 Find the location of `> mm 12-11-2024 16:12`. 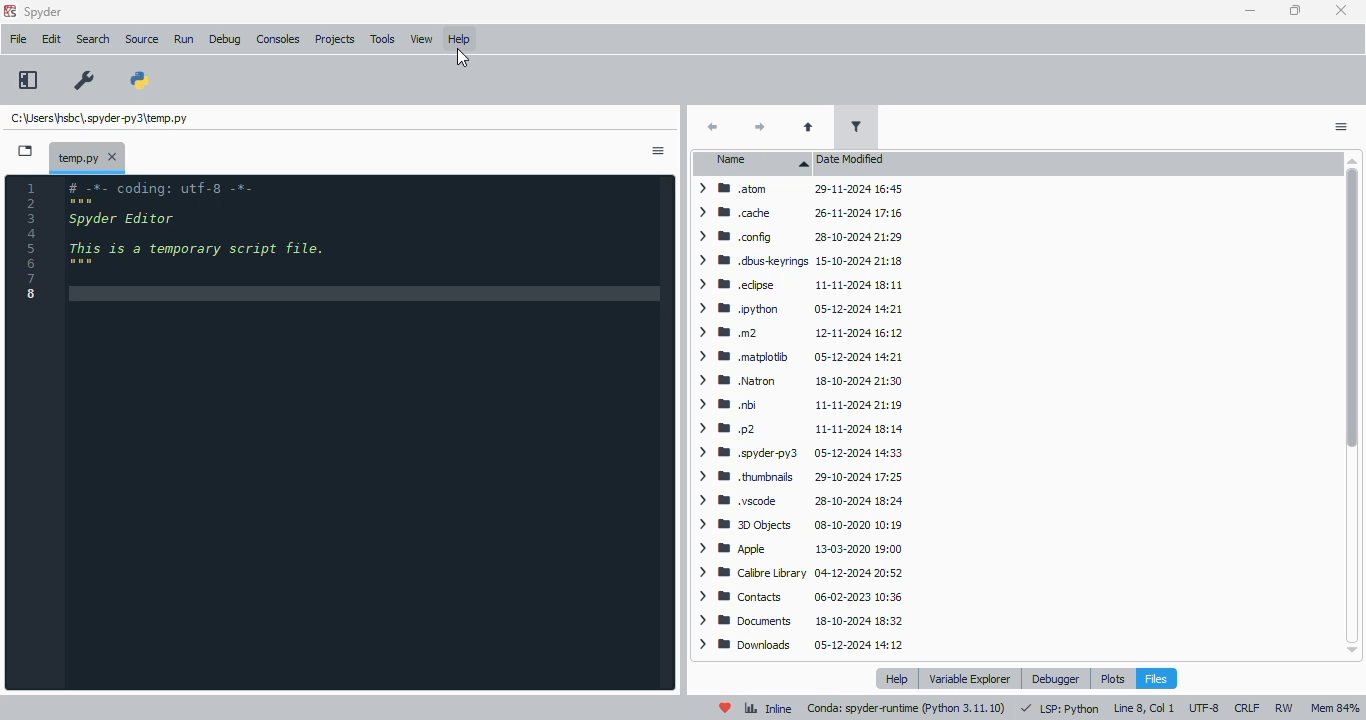

> mm 12-11-2024 16:12 is located at coordinates (798, 332).